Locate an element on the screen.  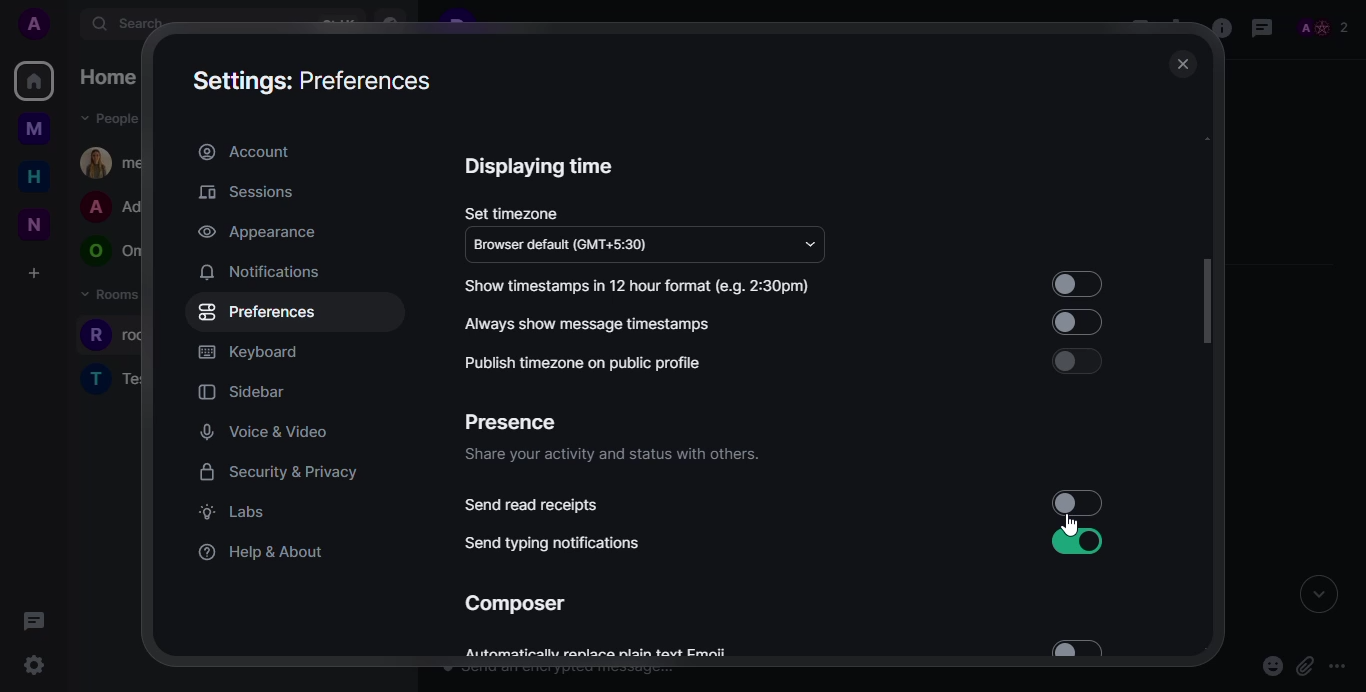
settings is located at coordinates (37, 663).